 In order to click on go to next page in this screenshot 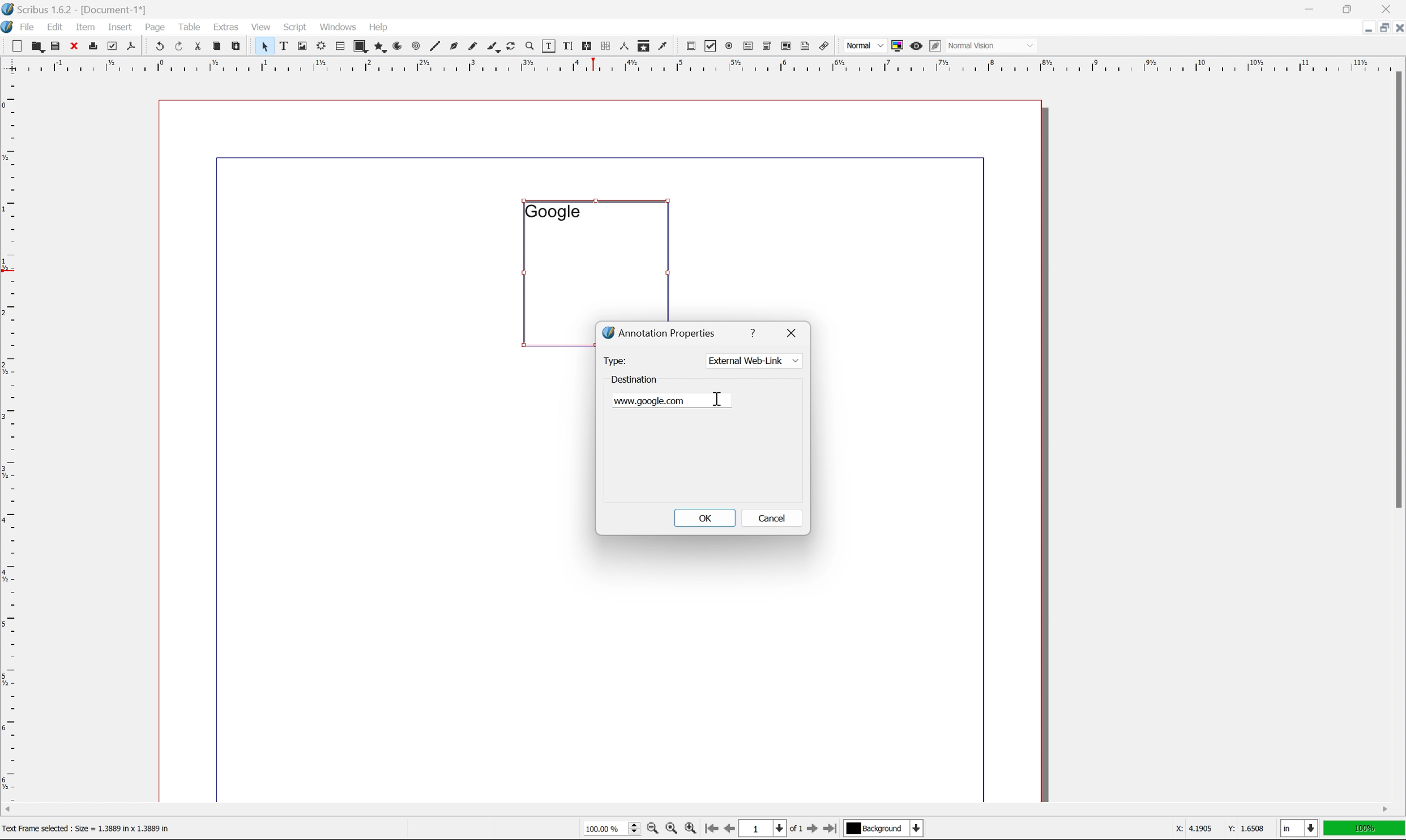, I will do `click(809, 830)`.